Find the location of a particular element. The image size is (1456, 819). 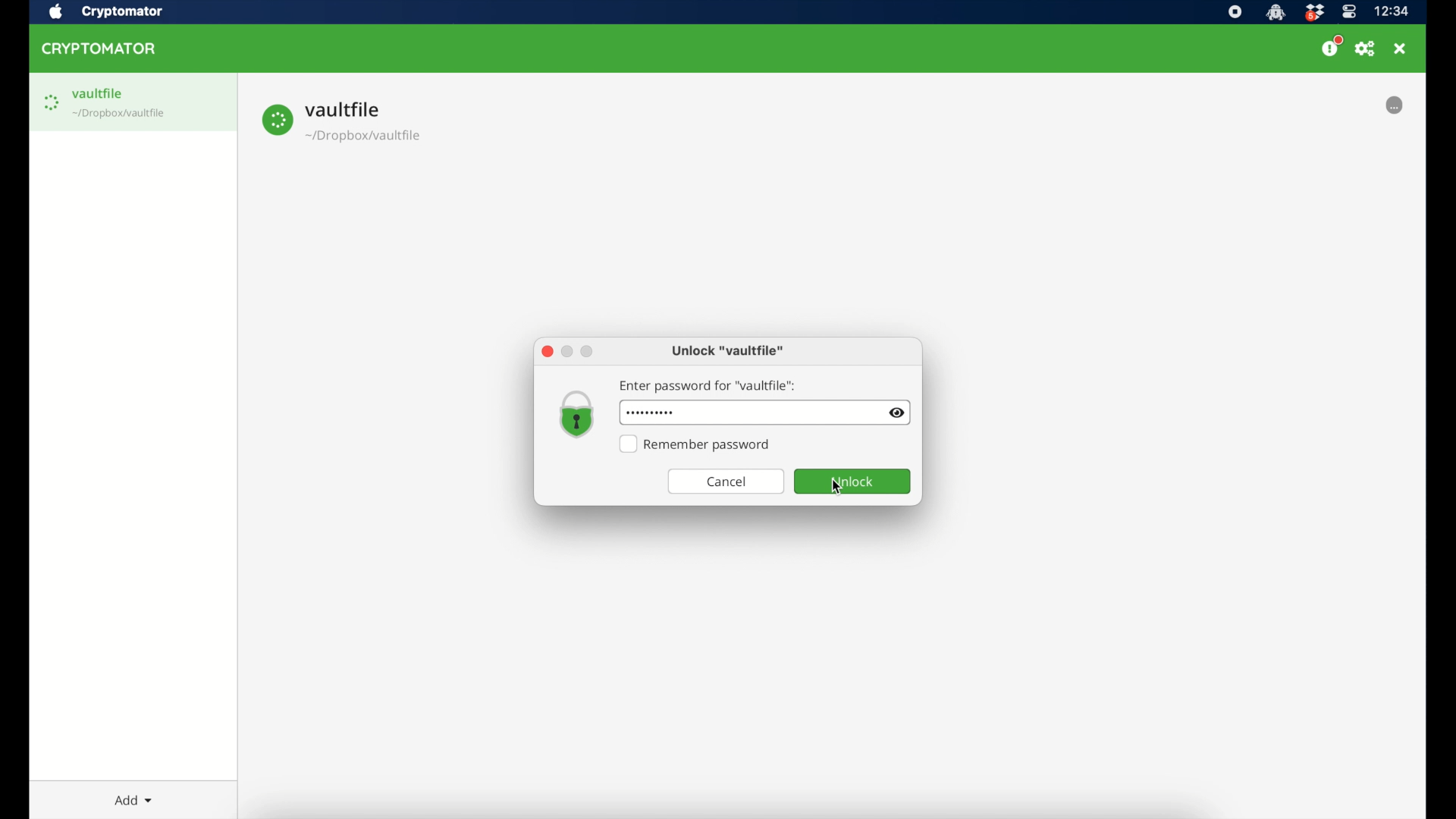

cryptomator is located at coordinates (122, 12).